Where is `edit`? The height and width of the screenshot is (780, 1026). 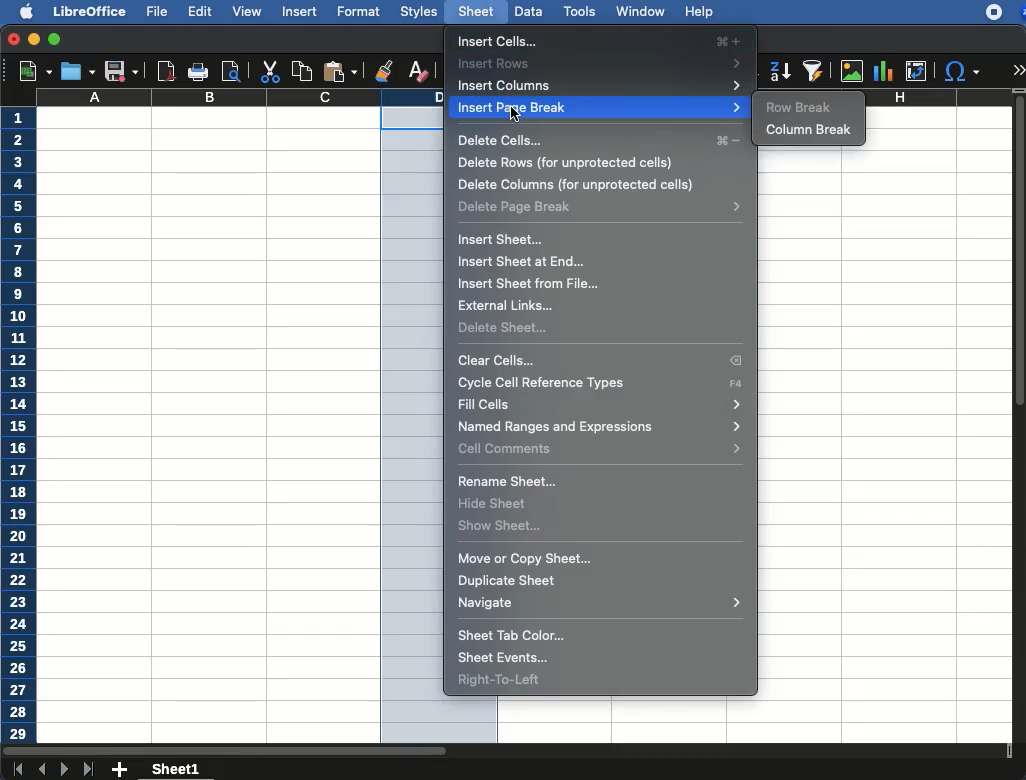 edit is located at coordinates (200, 11).